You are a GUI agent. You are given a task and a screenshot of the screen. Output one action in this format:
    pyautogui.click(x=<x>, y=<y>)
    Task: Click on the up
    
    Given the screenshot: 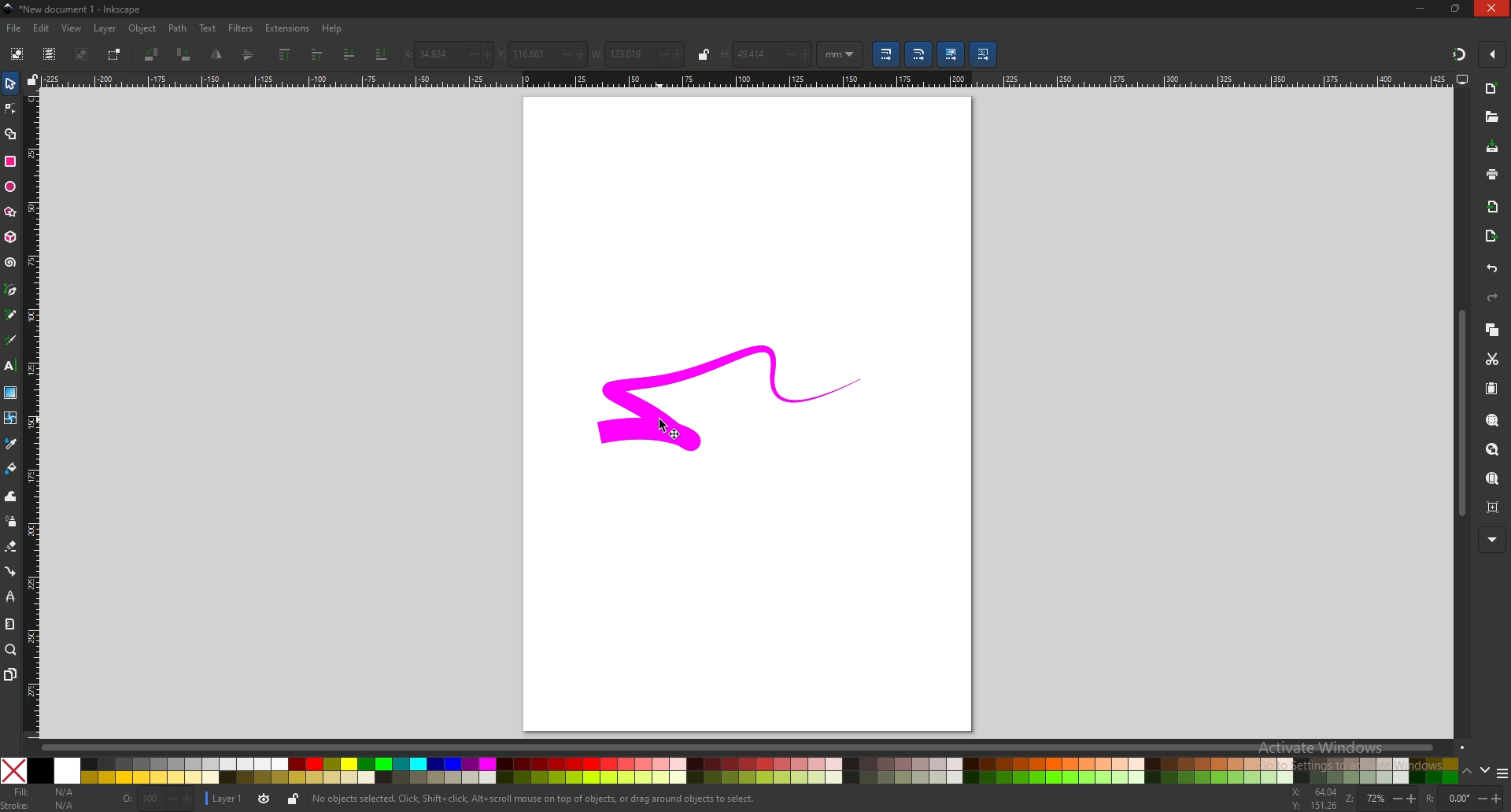 What is the action you would take?
    pyautogui.click(x=1468, y=771)
    